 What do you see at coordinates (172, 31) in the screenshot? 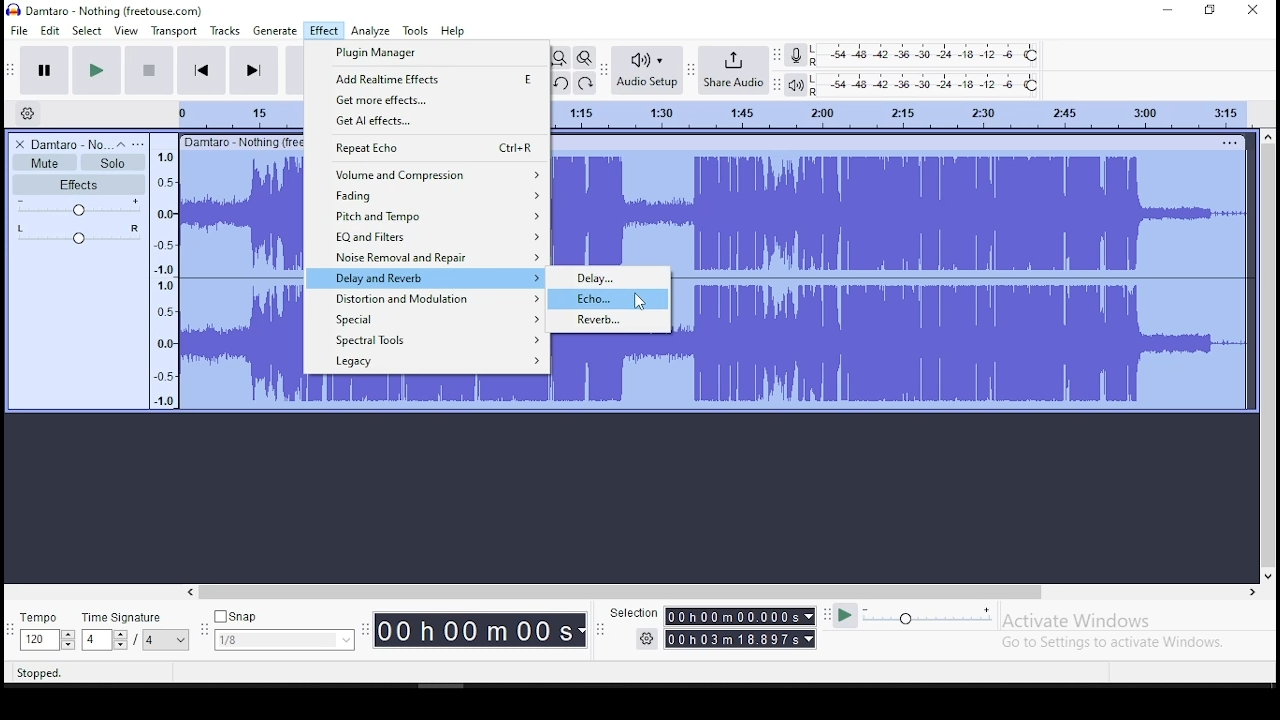
I see `transport` at bounding box center [172, 31].